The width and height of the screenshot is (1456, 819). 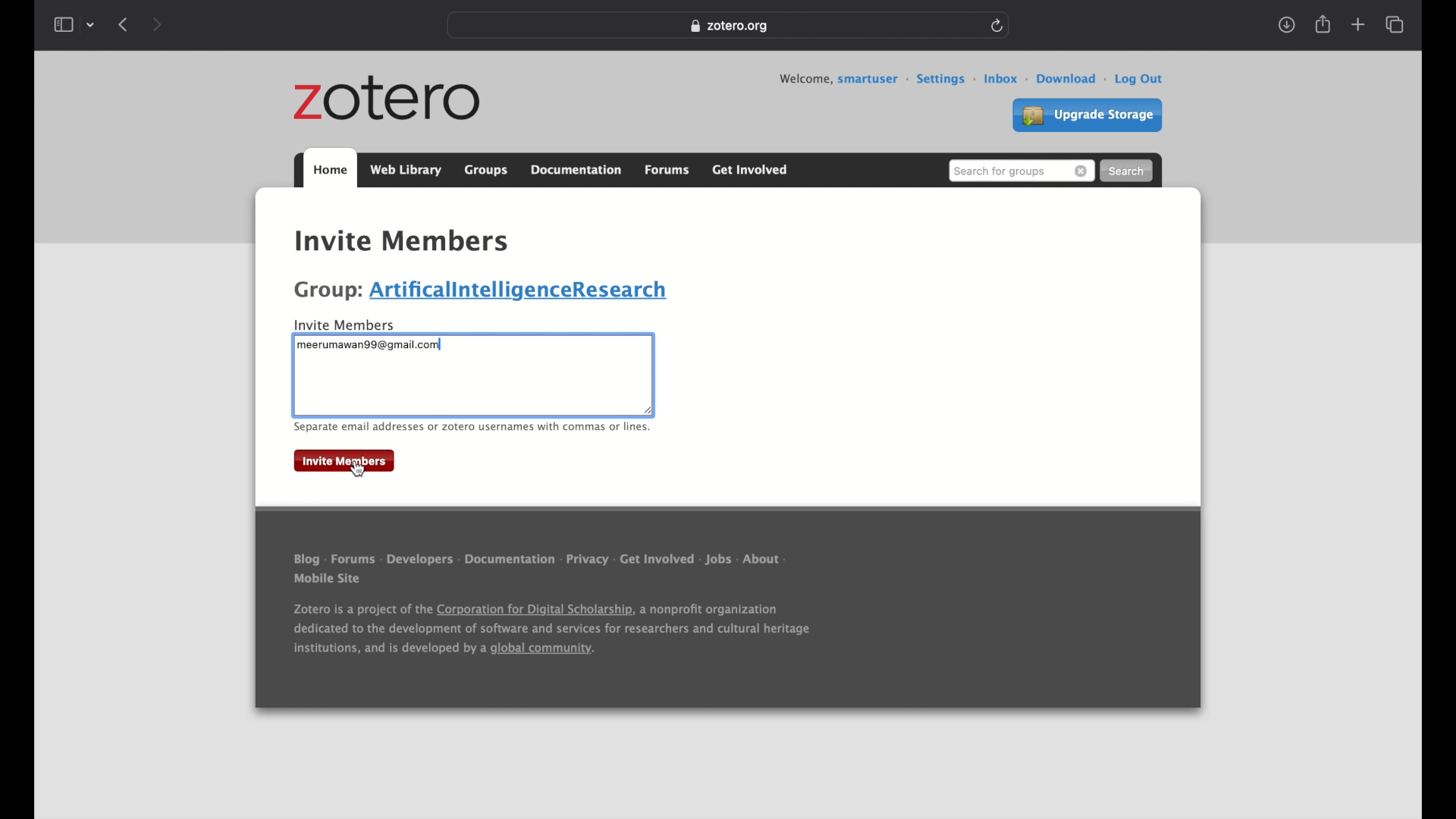 What do you see at coordinates (406, 170) in the screenshot?
I see `web library` at bounding box center [406, 170].